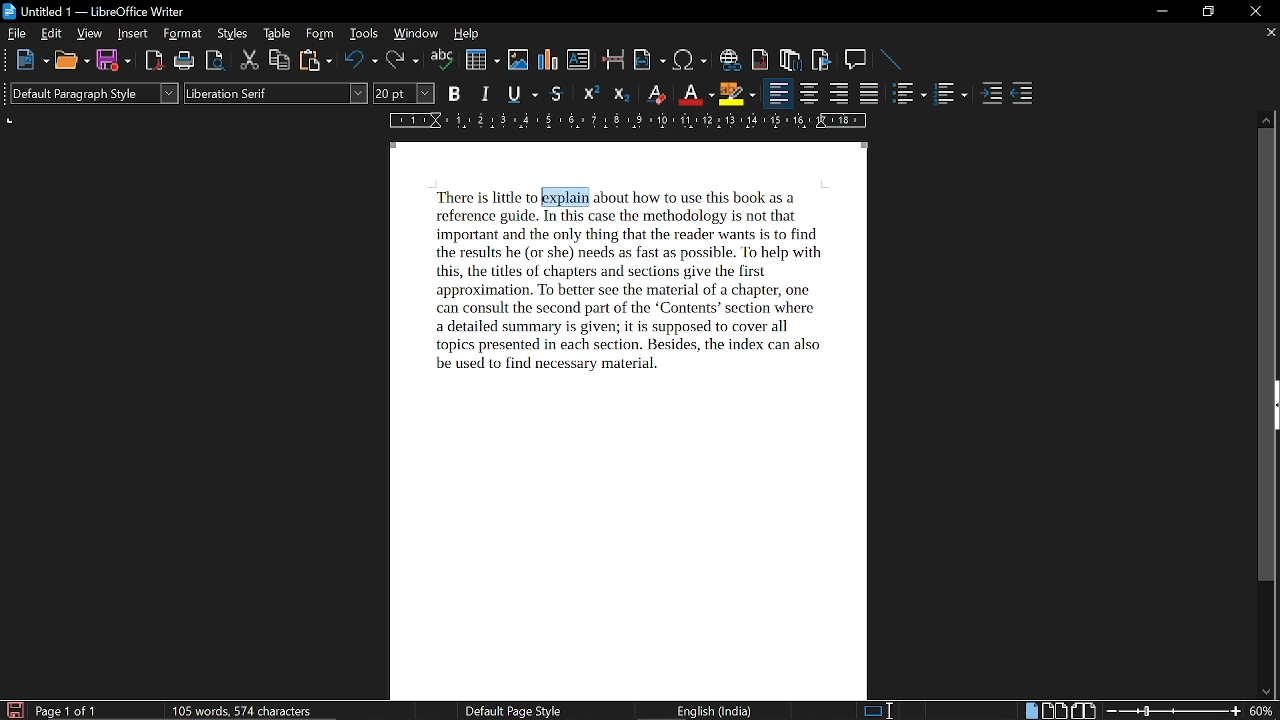 The width and height of the screenshot is (1280, 720). Describe the element at coordinates (275, 94) in the screenshot. I see `font style` at that location.